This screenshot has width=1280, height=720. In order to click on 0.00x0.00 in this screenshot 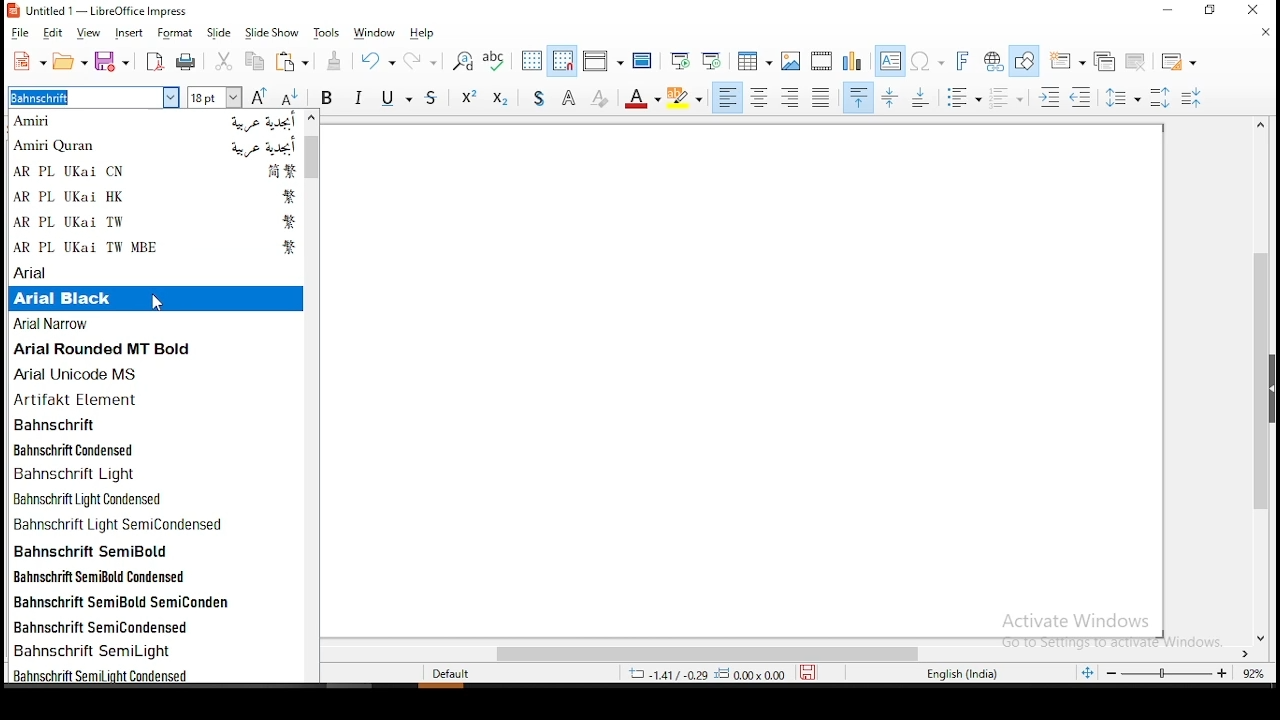, I will do `click(752, 674)`.